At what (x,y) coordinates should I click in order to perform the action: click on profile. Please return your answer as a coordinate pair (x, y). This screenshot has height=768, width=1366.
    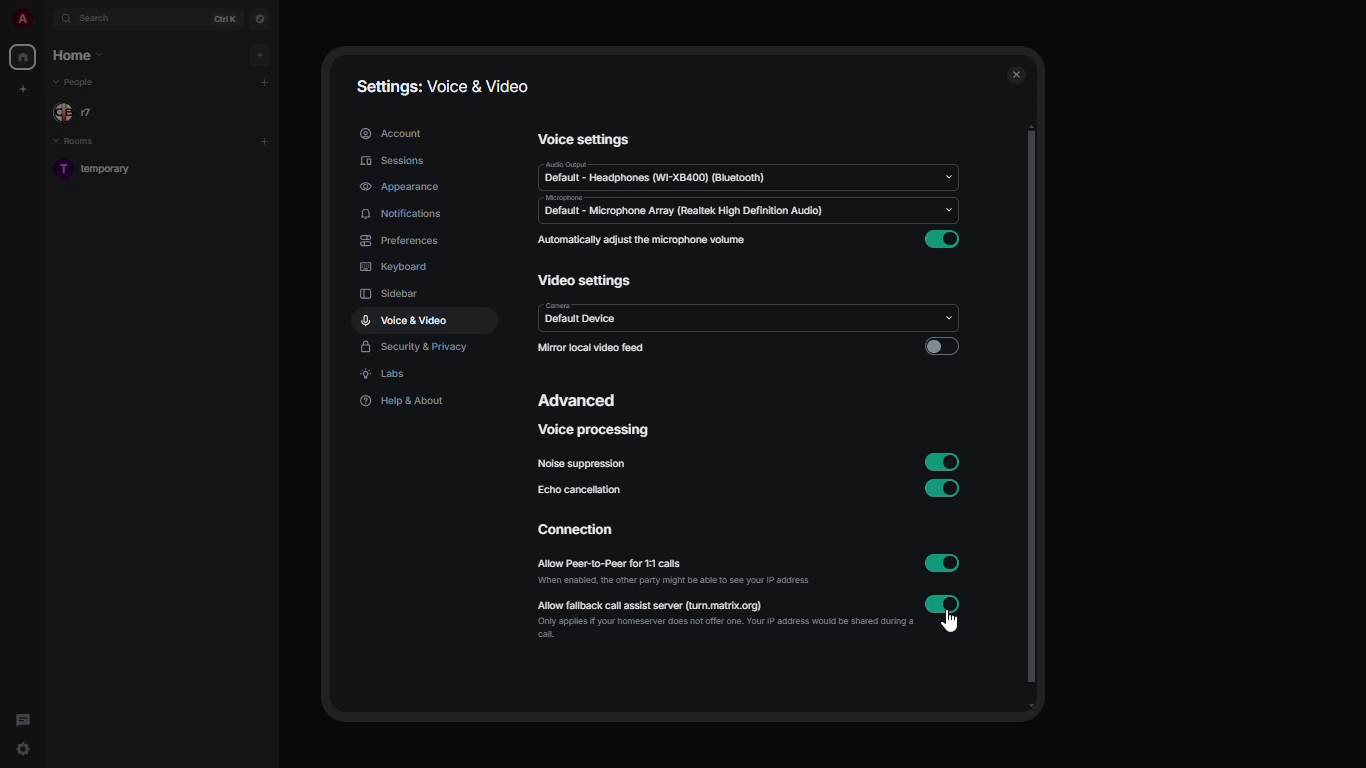
    Looking at the image, I should click on (19, 19).